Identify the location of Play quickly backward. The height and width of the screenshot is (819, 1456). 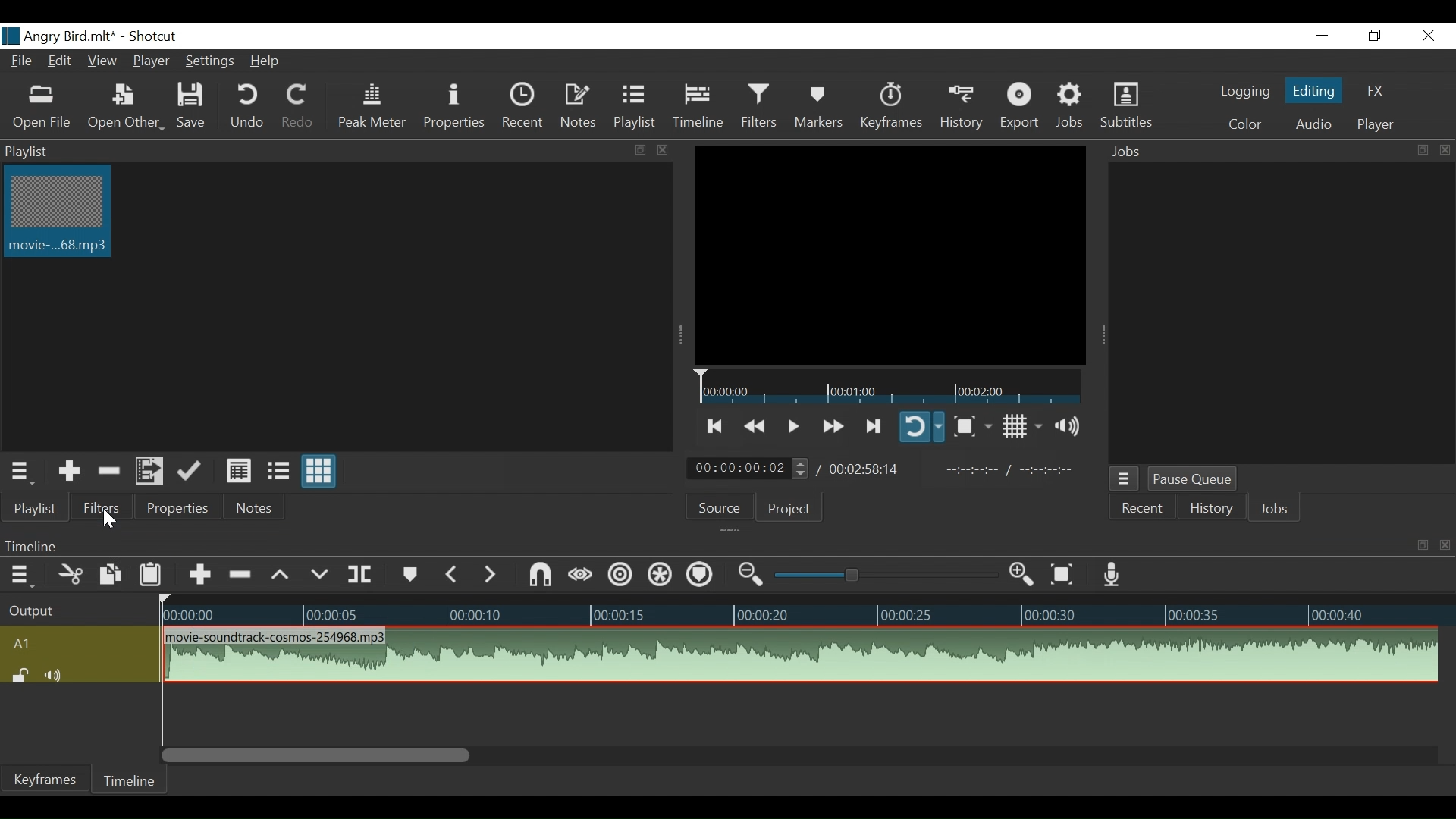
(754, 424).